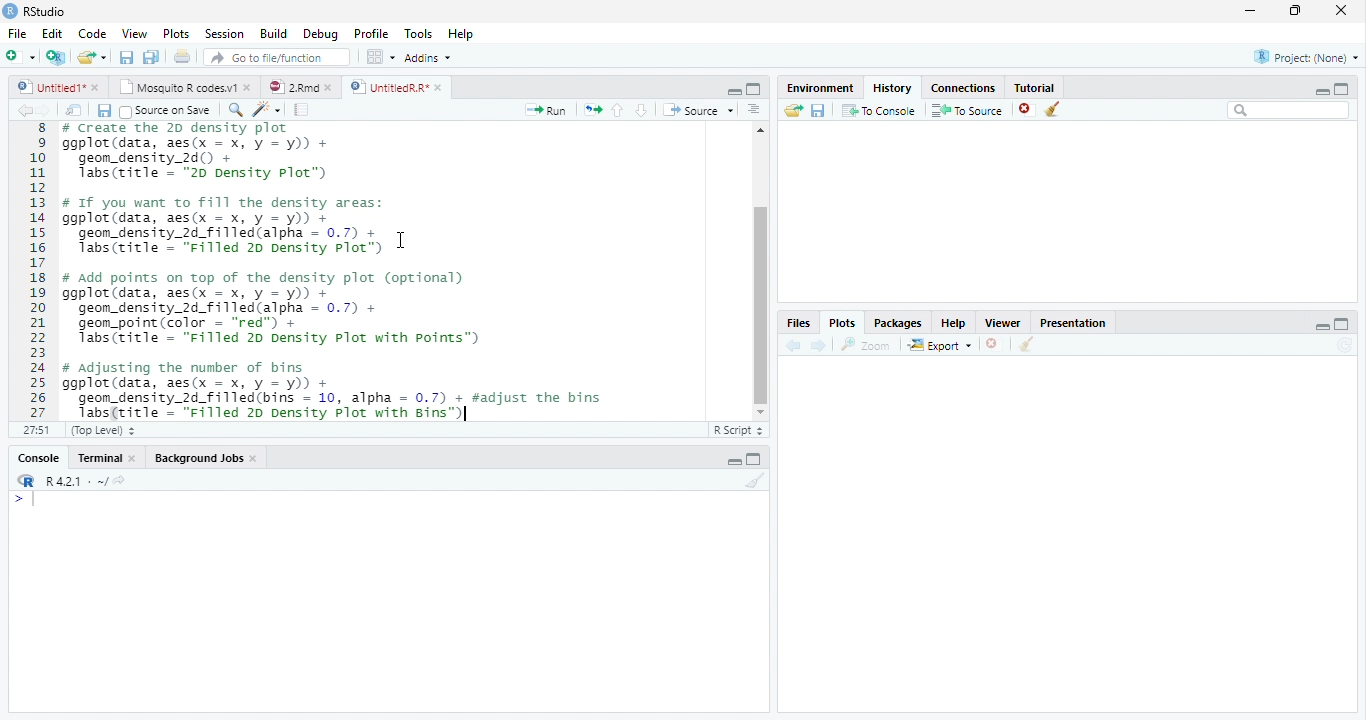 The height and width of the screenshot is (720, 1366). What do you see at coordinates (1036, 87) in the screenshot?
I see `Tutorial` at bounding box center [1036, 87].